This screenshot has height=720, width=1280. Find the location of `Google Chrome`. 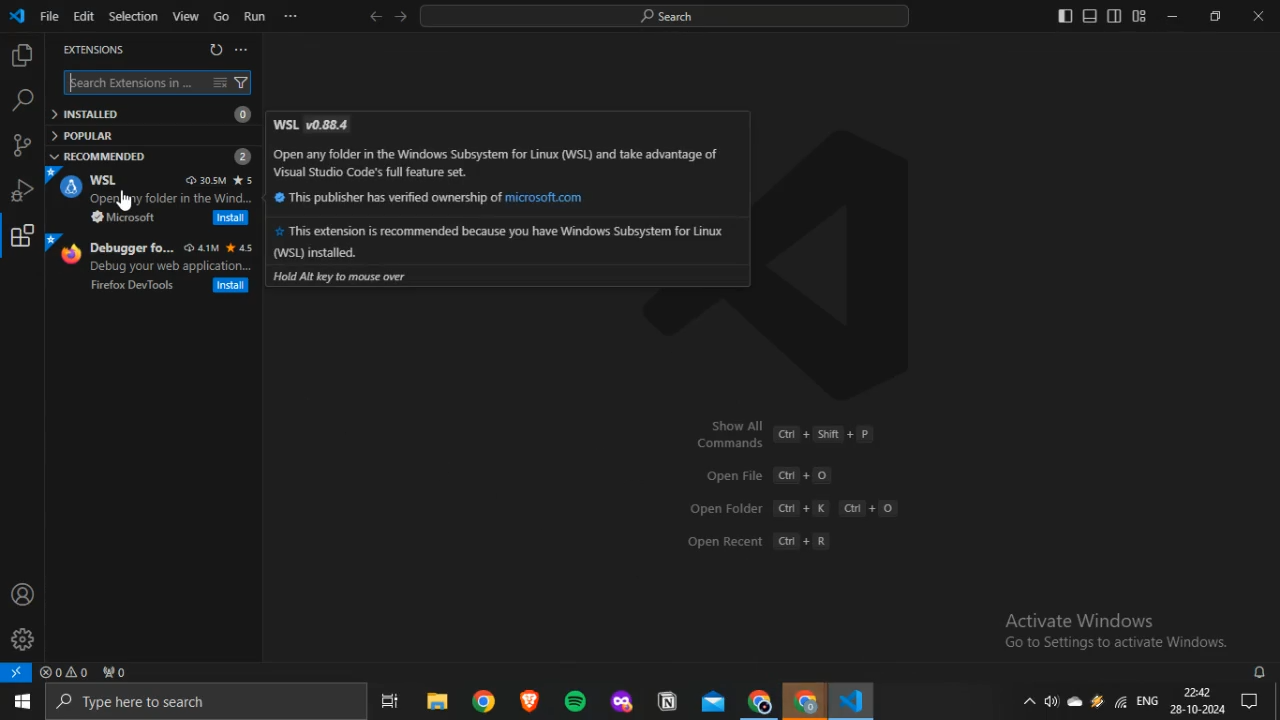

Google Chrome is located at coordinates (759, 701).